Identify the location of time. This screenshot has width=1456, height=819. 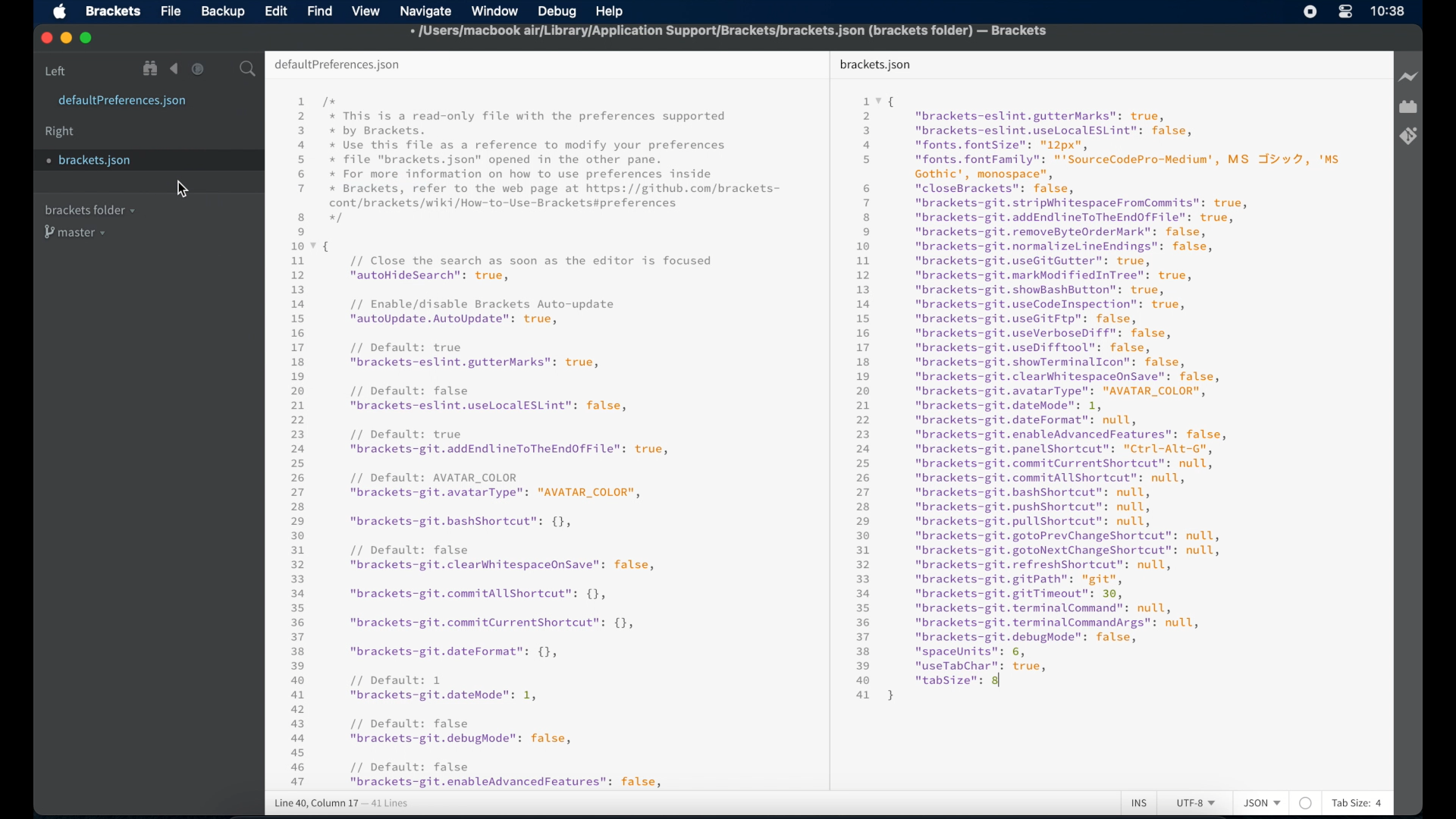
(1388, 11).